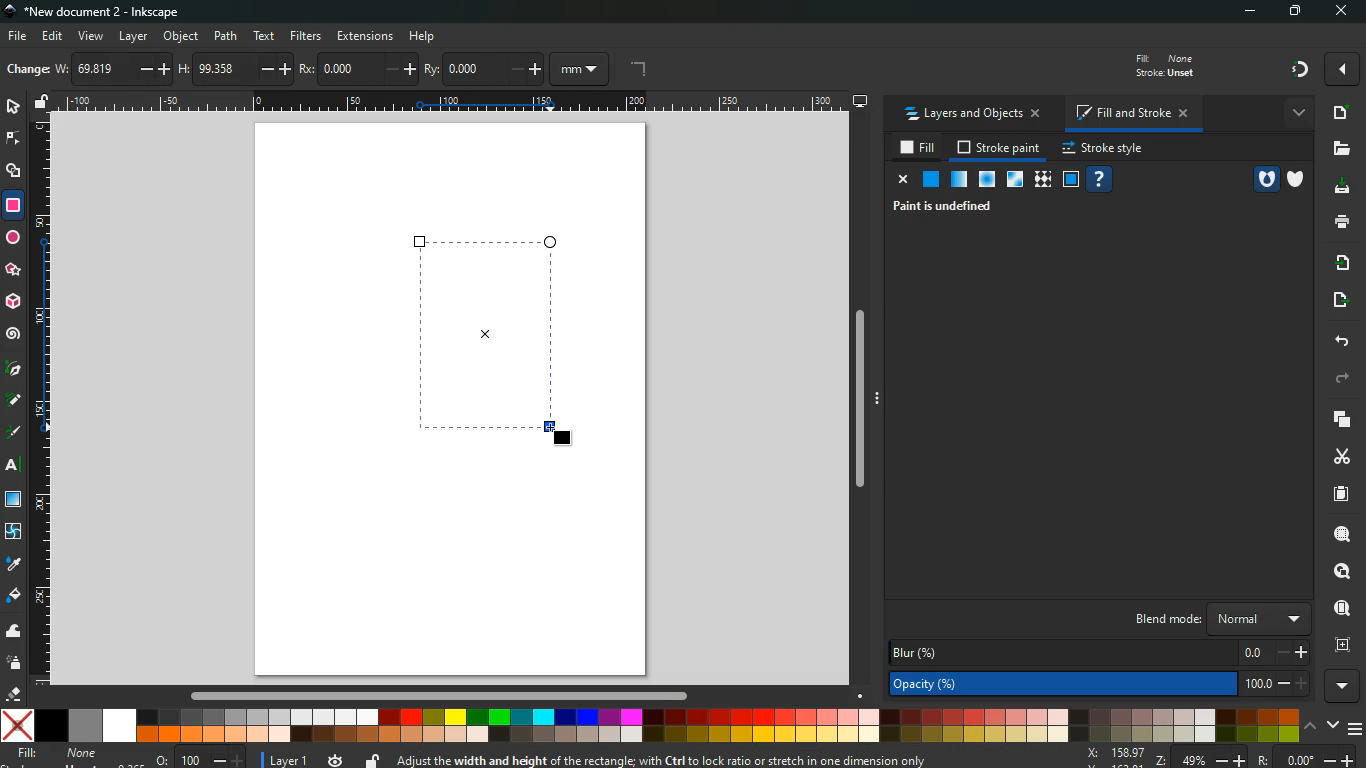 Image resolution: width=1366 pixels, height=768 pixels. What do you see at coordinates (1258, 180) in the screenshot?
I see `hole` at bounding box center [1258, 180].